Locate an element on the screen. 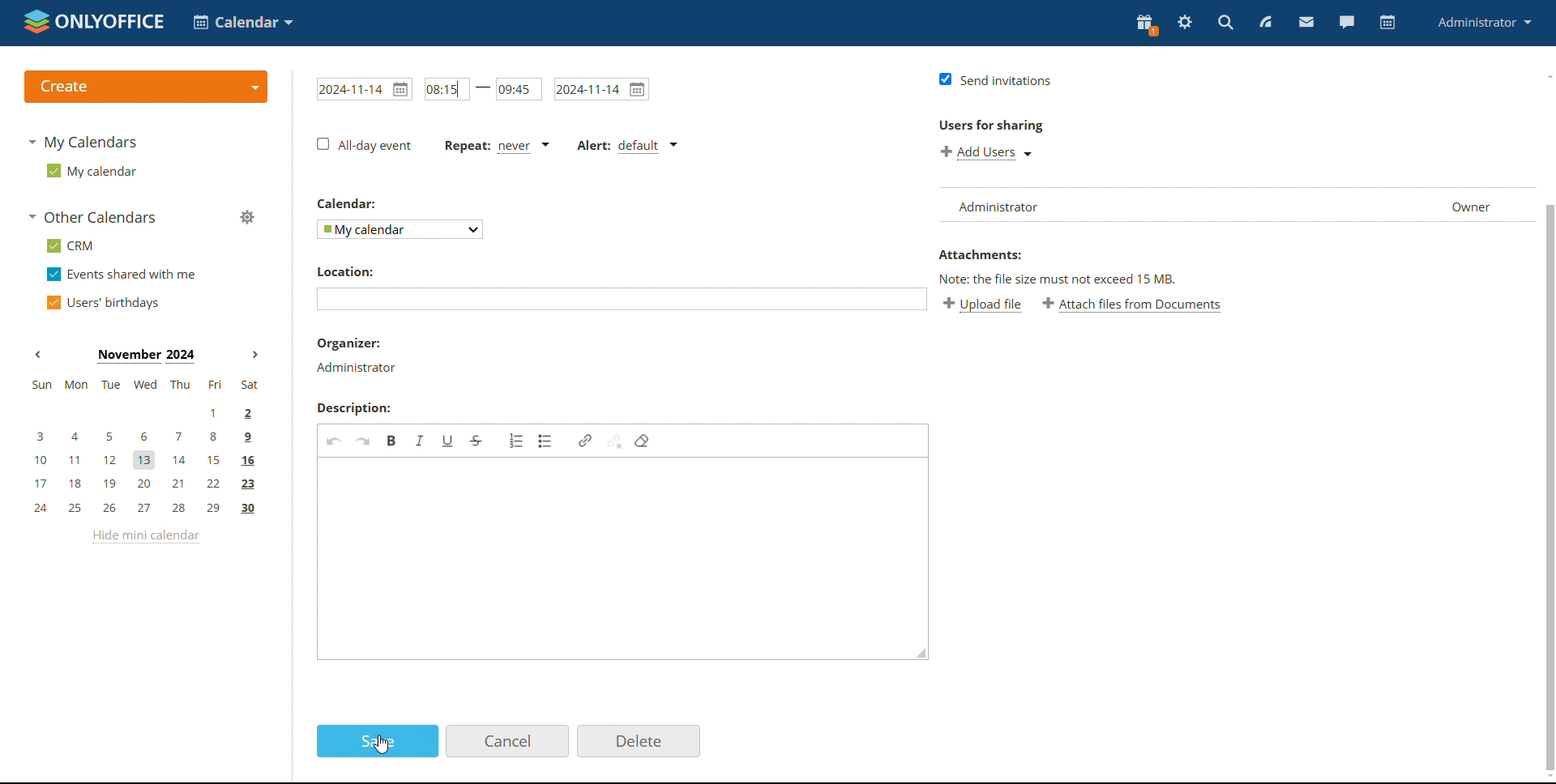 The height and width of the screenshot is (784, 1556). calendar is located at coordinates (1386, 23).